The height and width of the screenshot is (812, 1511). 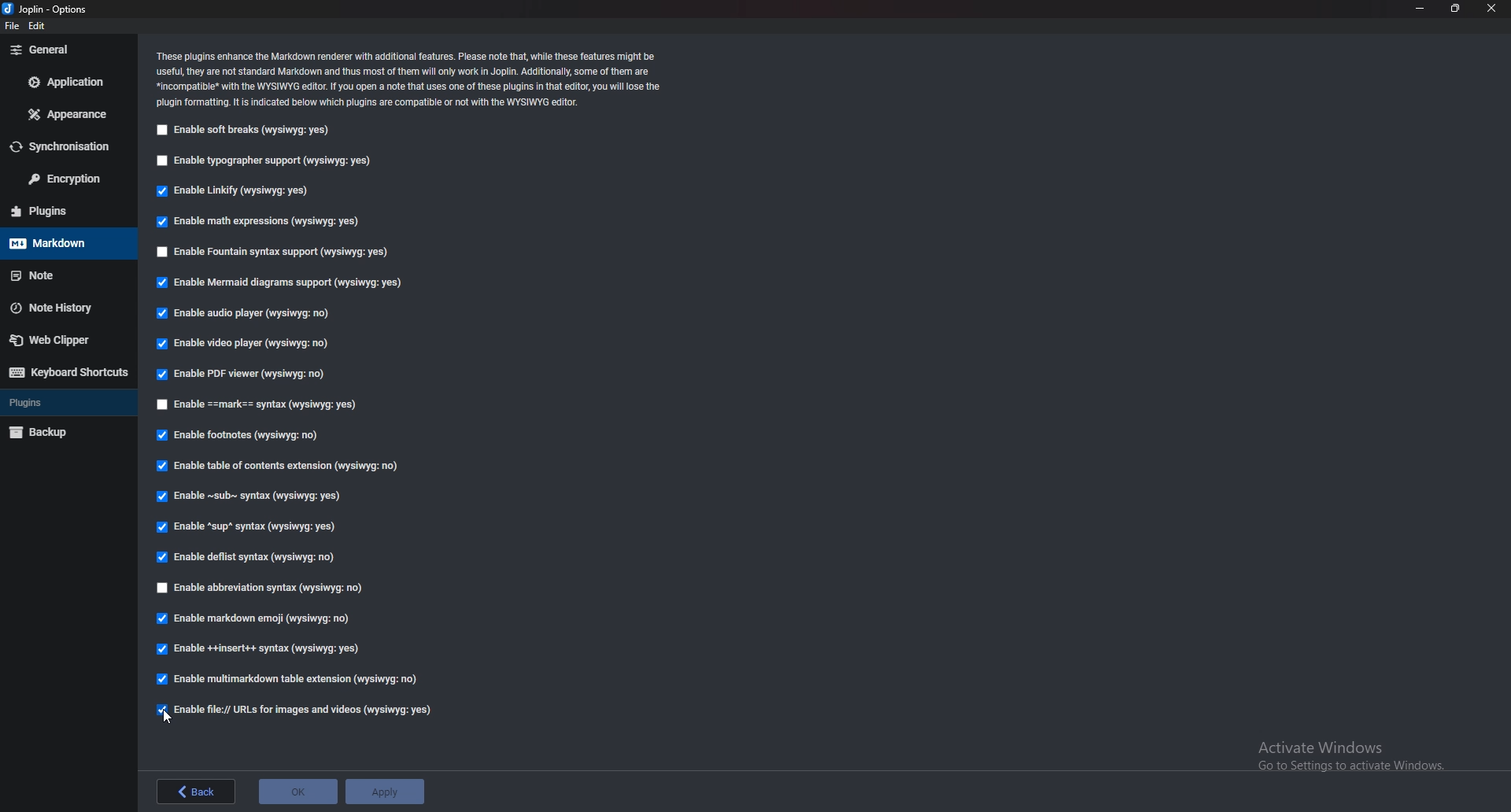 What do you see at coordinates (415, 81) in the screenshot?
I see `Info` at bounding box center [415, 81].